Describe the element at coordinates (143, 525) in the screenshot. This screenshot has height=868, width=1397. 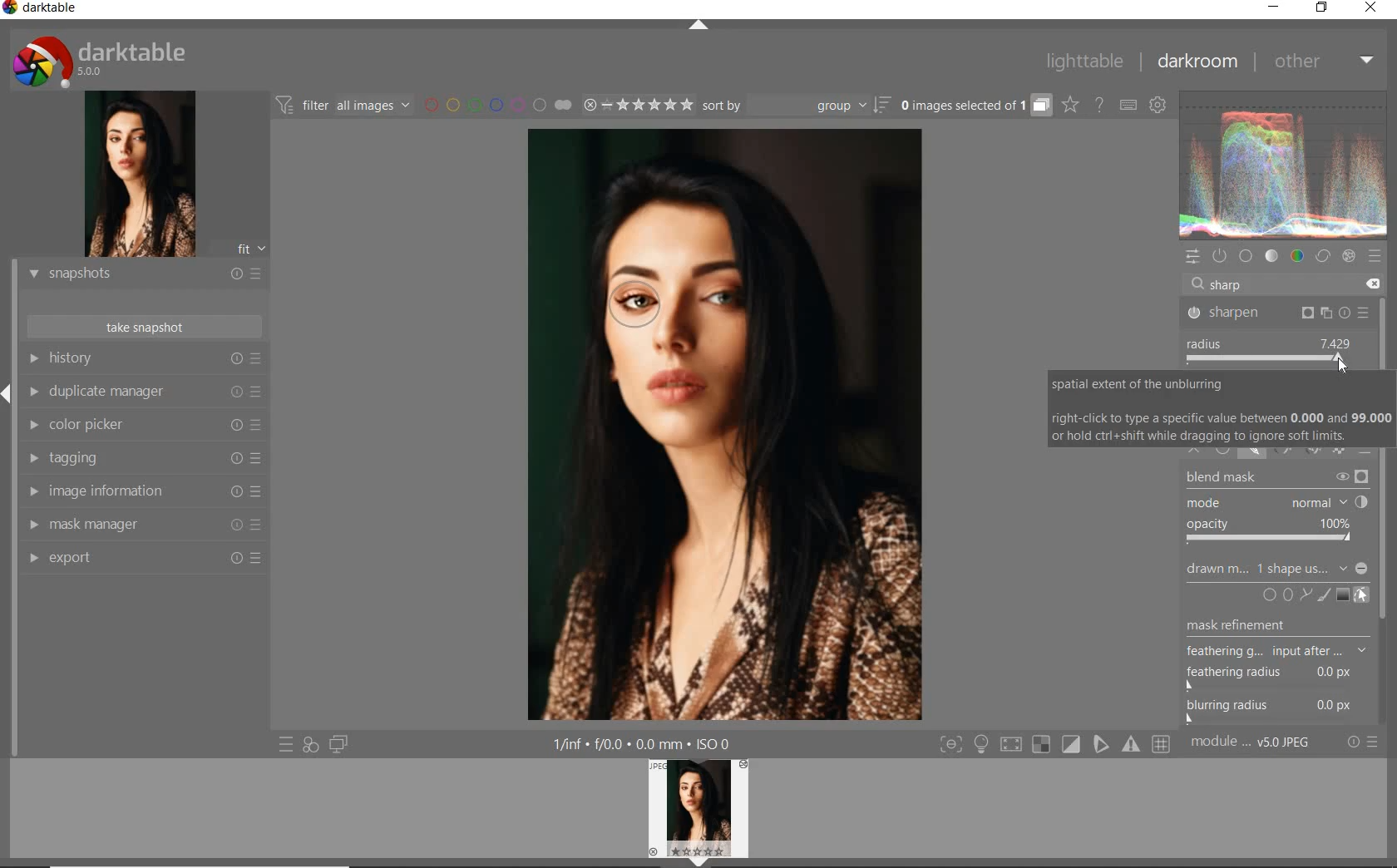
I see `mask manager` at that location.